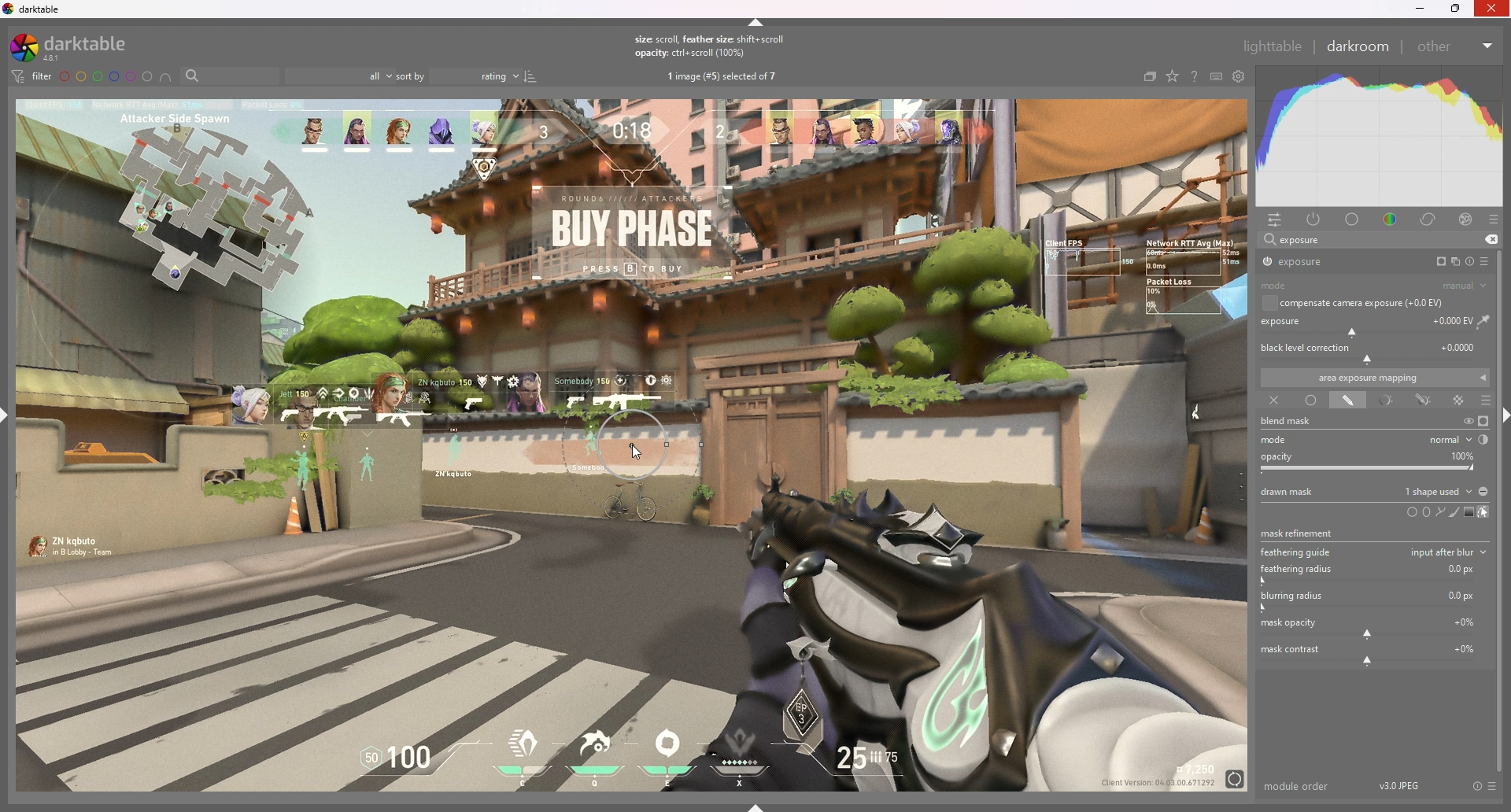  I want to click on drawn mask, so click(1347, 401).